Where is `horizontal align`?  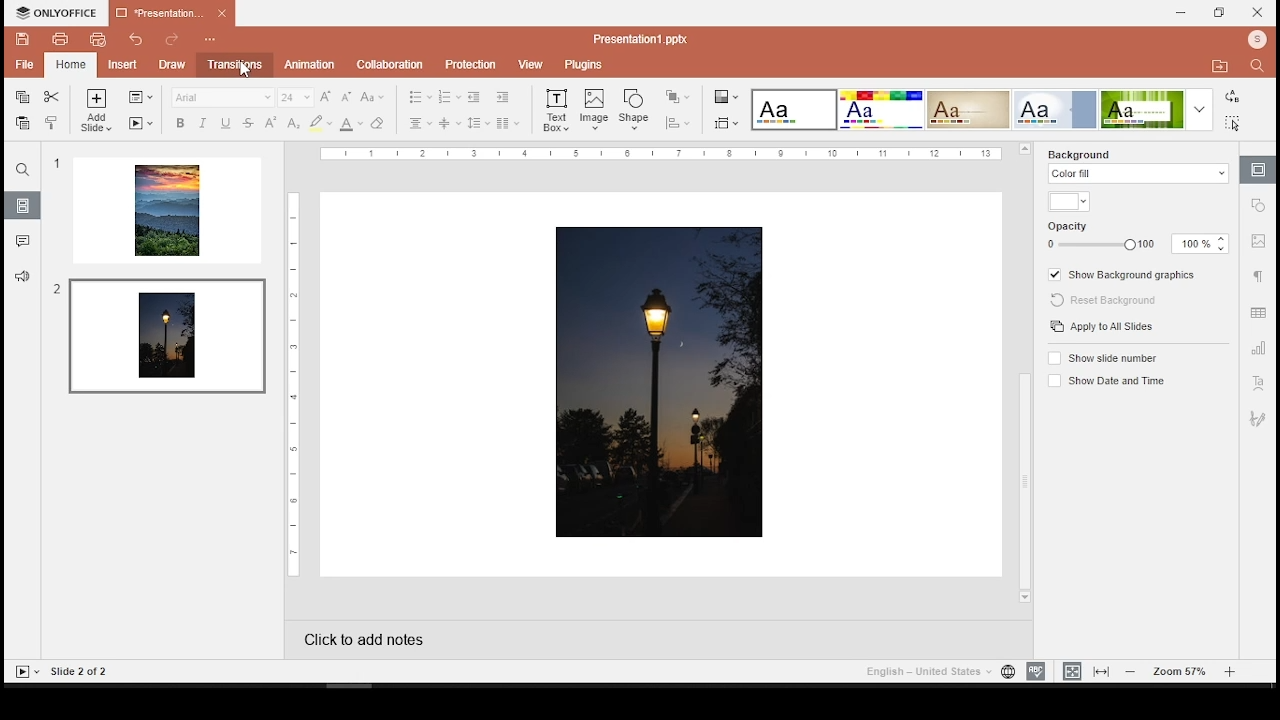
horizontal align is located at coordinates (421, 123).